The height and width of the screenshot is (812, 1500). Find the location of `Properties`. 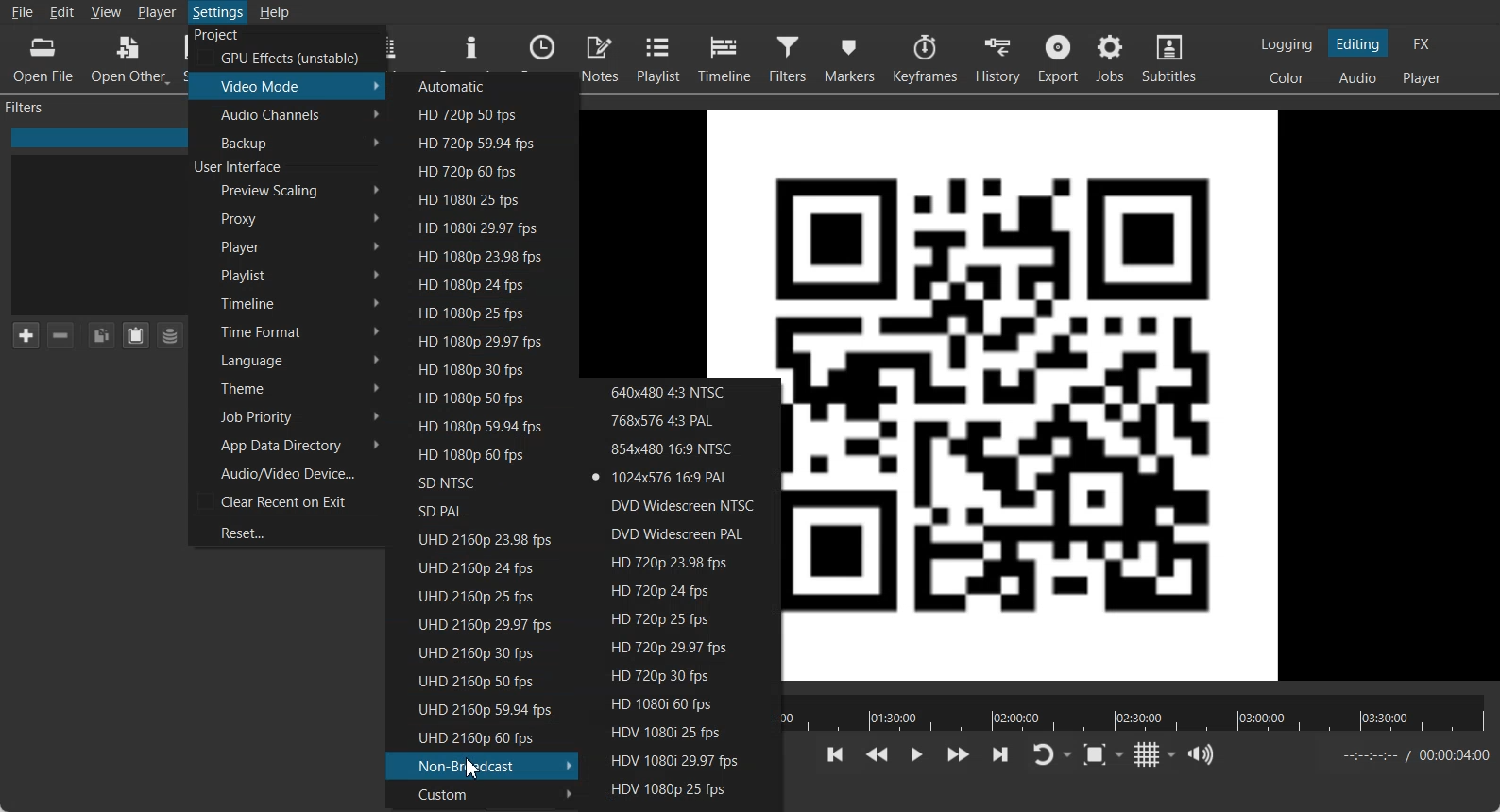

Properties is located at coordinates (471, 48).